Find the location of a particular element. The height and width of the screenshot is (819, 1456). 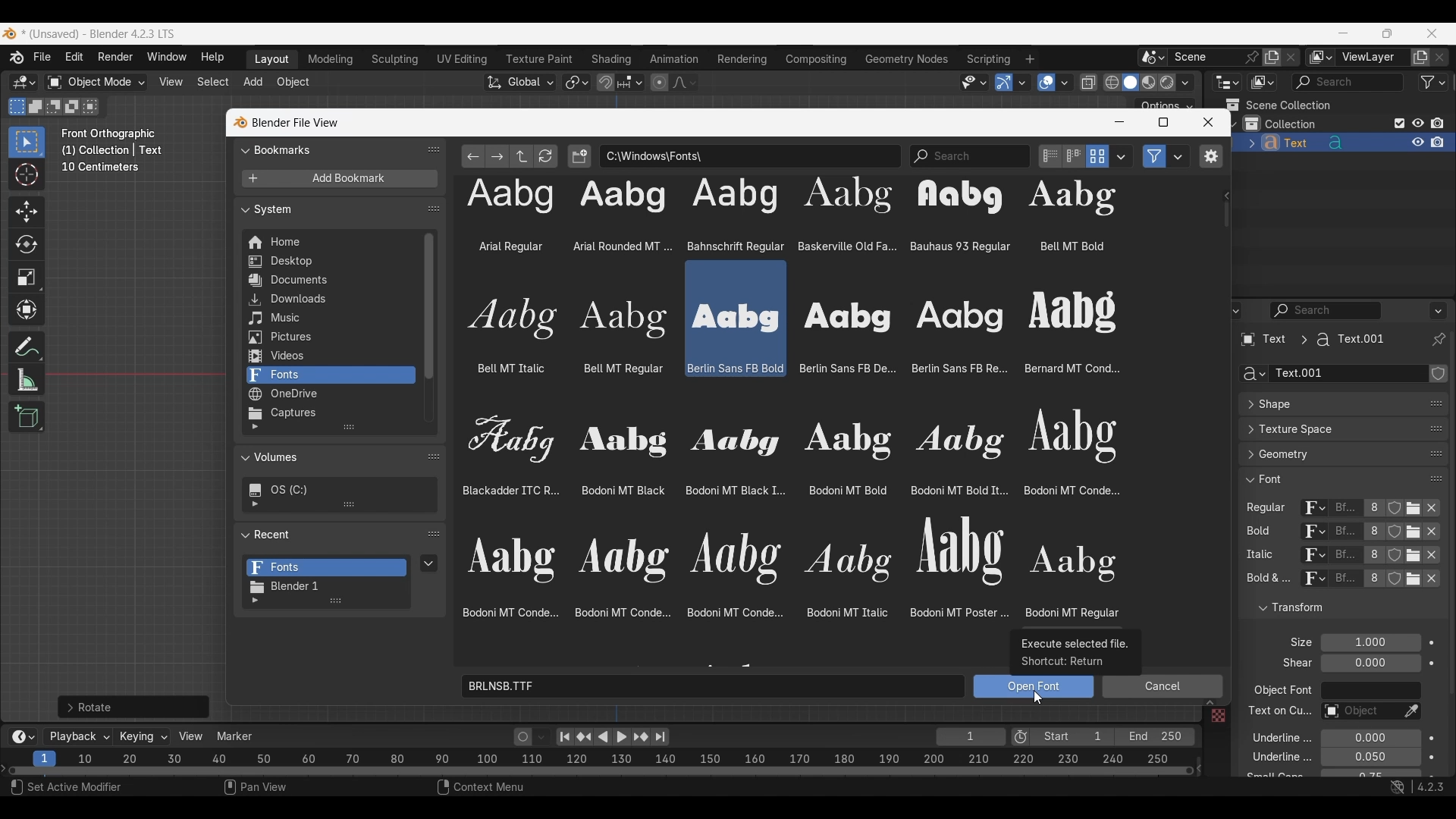

Cancel selected option is located at coordinates (1162, 686).